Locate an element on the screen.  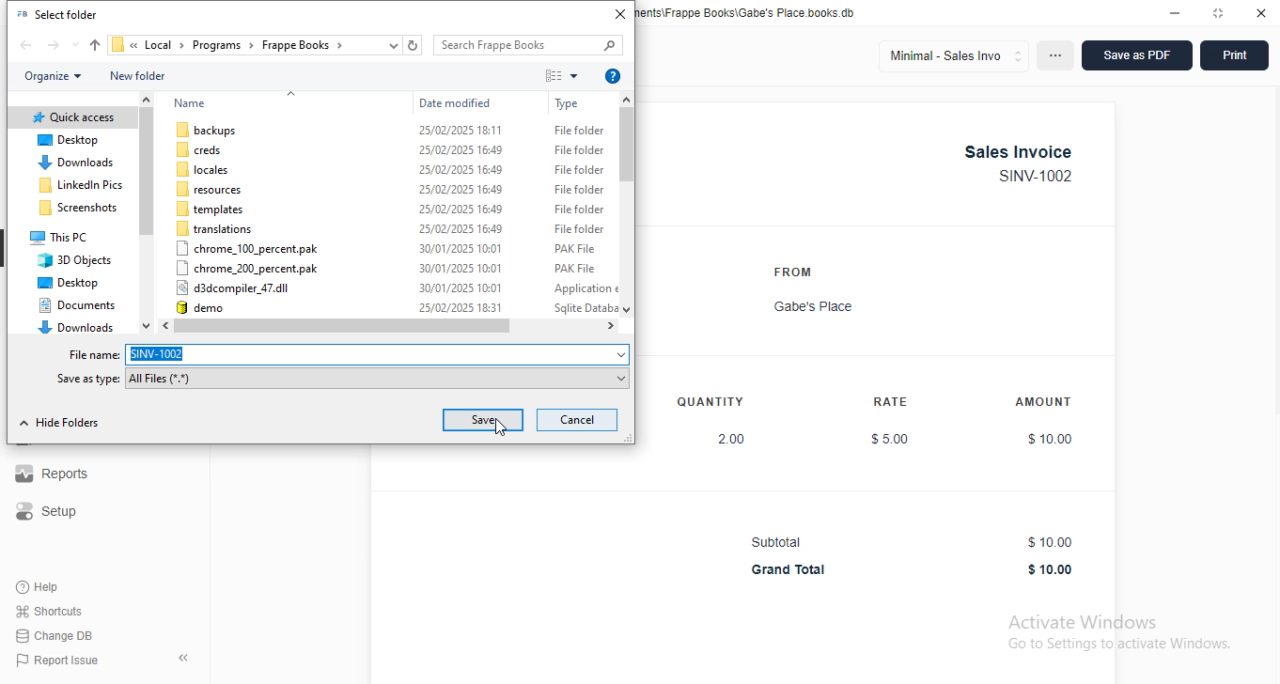
scroll up is located at coordinates (627, 98).